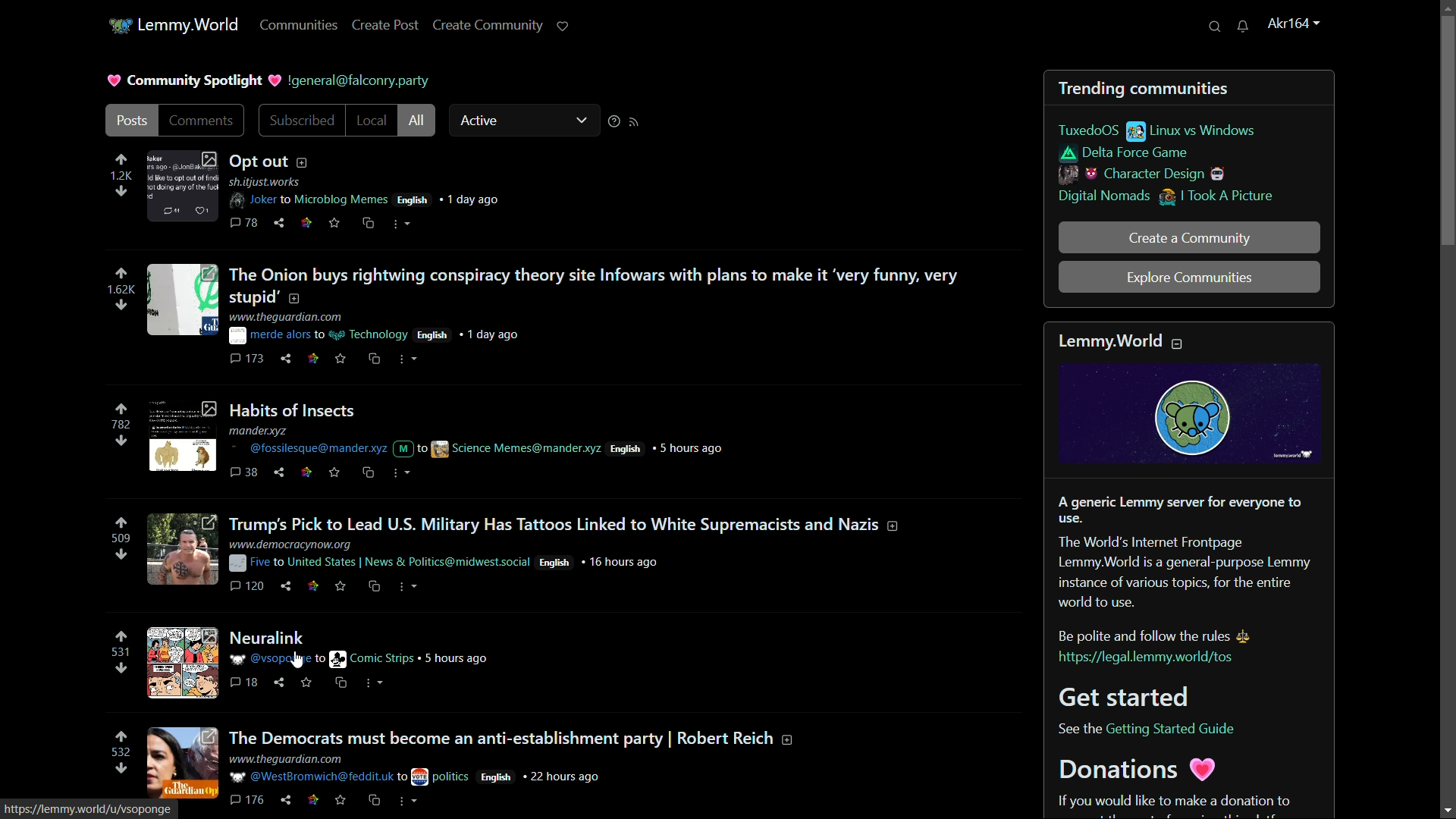 This screenshot has height=819, width=1456. What do you see at coordinates (356, 83) in the screenshot?
I see `username` at bounding box center [356, 83].